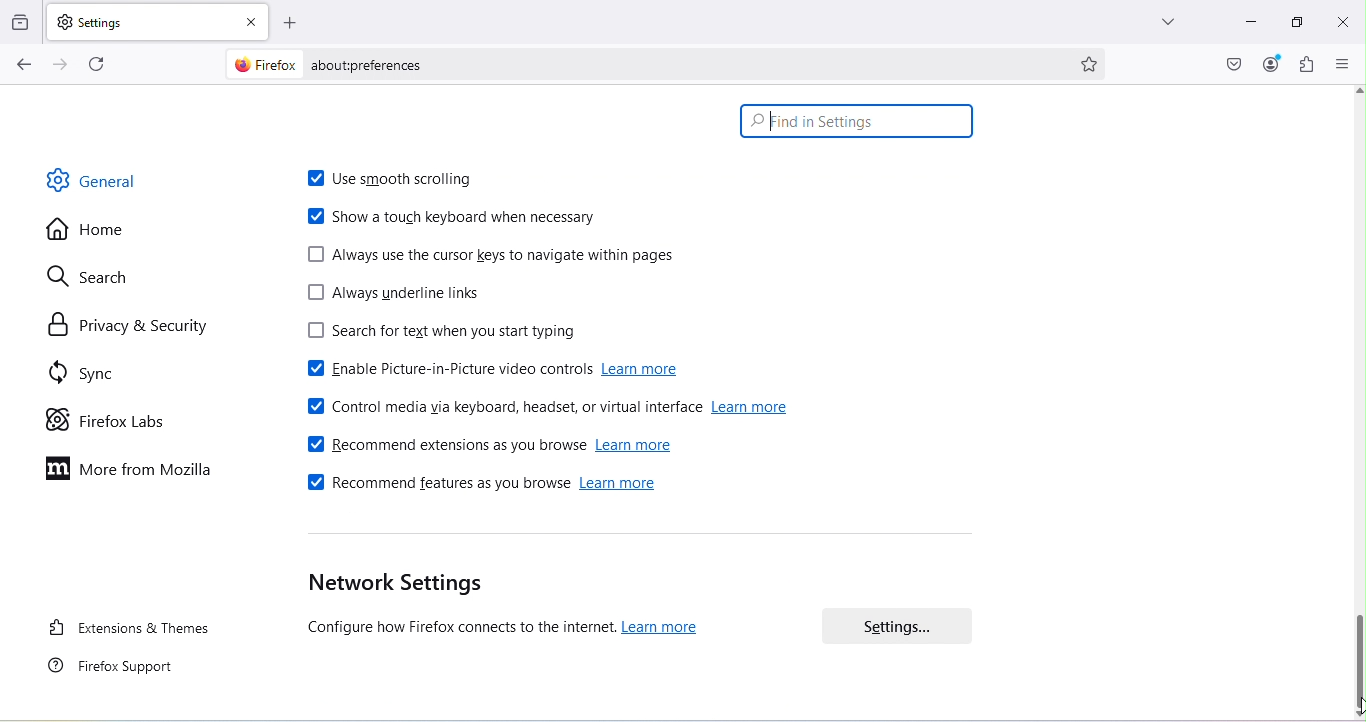 This screenshot has width=1366, height=722. Describe the element at coordinates (386, 296) in the screenshot. I see `Always underline links` at that location.